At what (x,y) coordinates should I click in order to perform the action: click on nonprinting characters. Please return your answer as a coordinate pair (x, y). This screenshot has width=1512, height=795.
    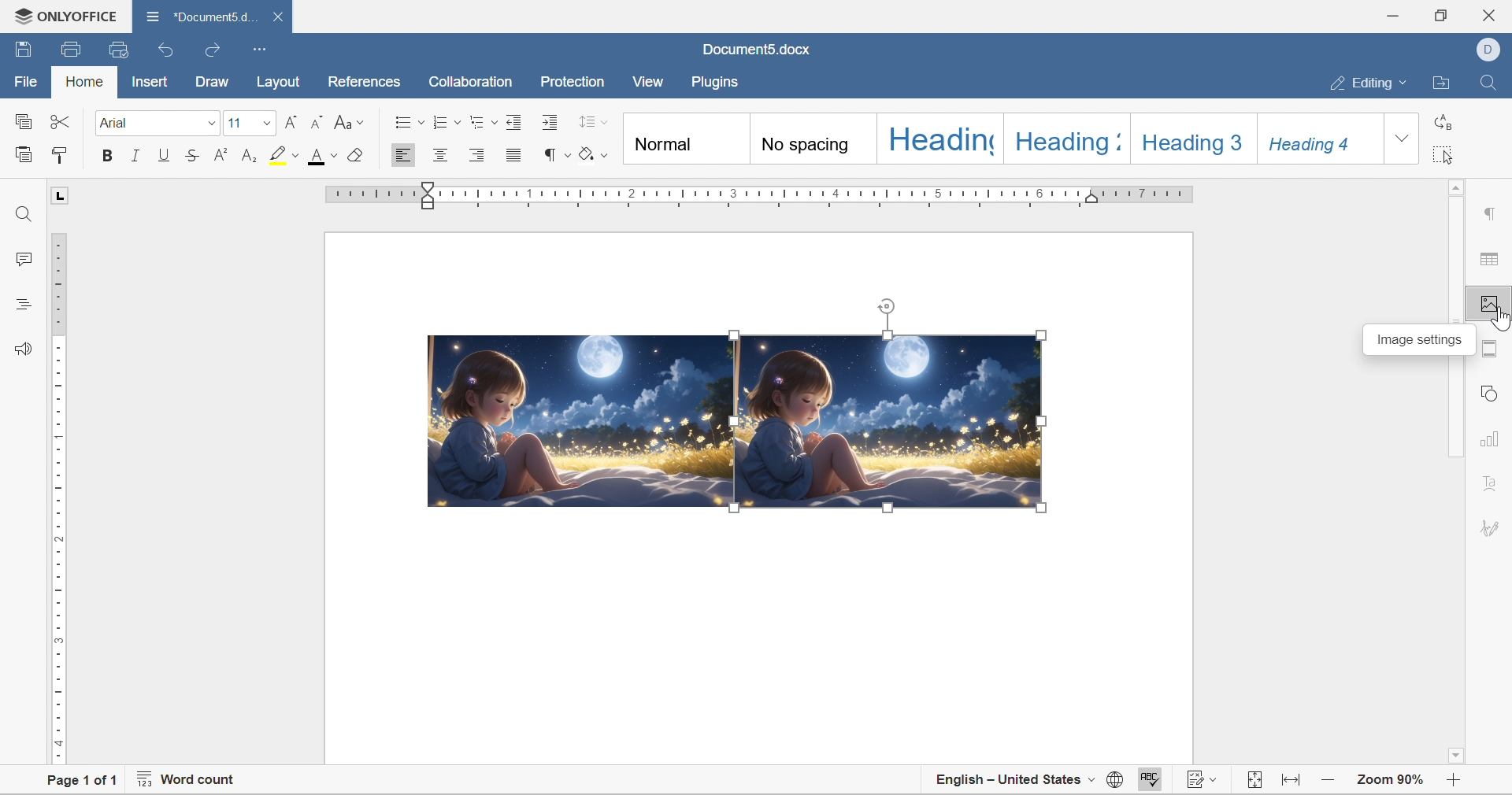
    Looking at the image, I should click on (556, 154).